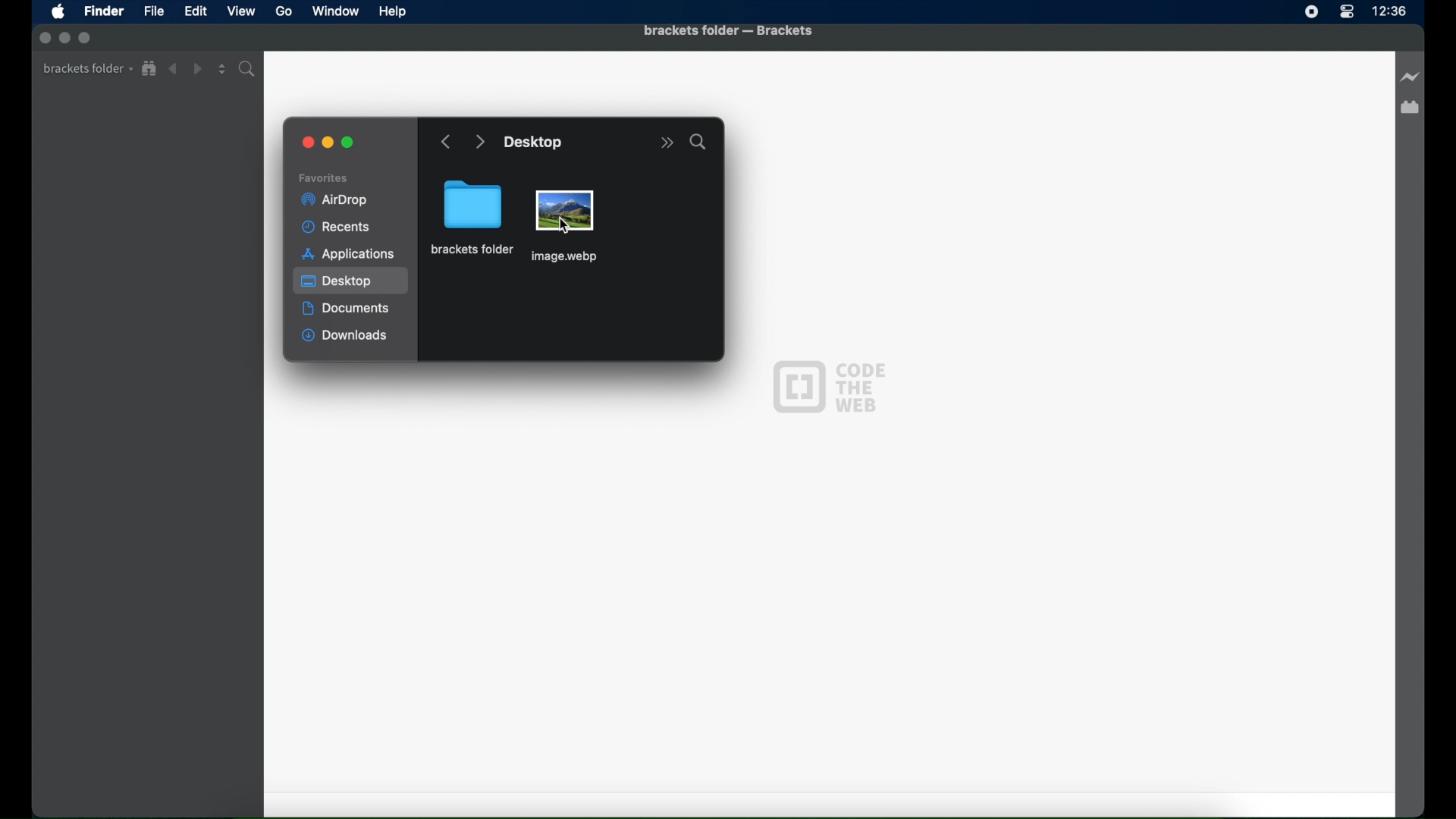 The image size is (1456, 819). What do you see at coordinates (339, 227) in the screenshot?
I see `recents` at bounding box center [339, 227].